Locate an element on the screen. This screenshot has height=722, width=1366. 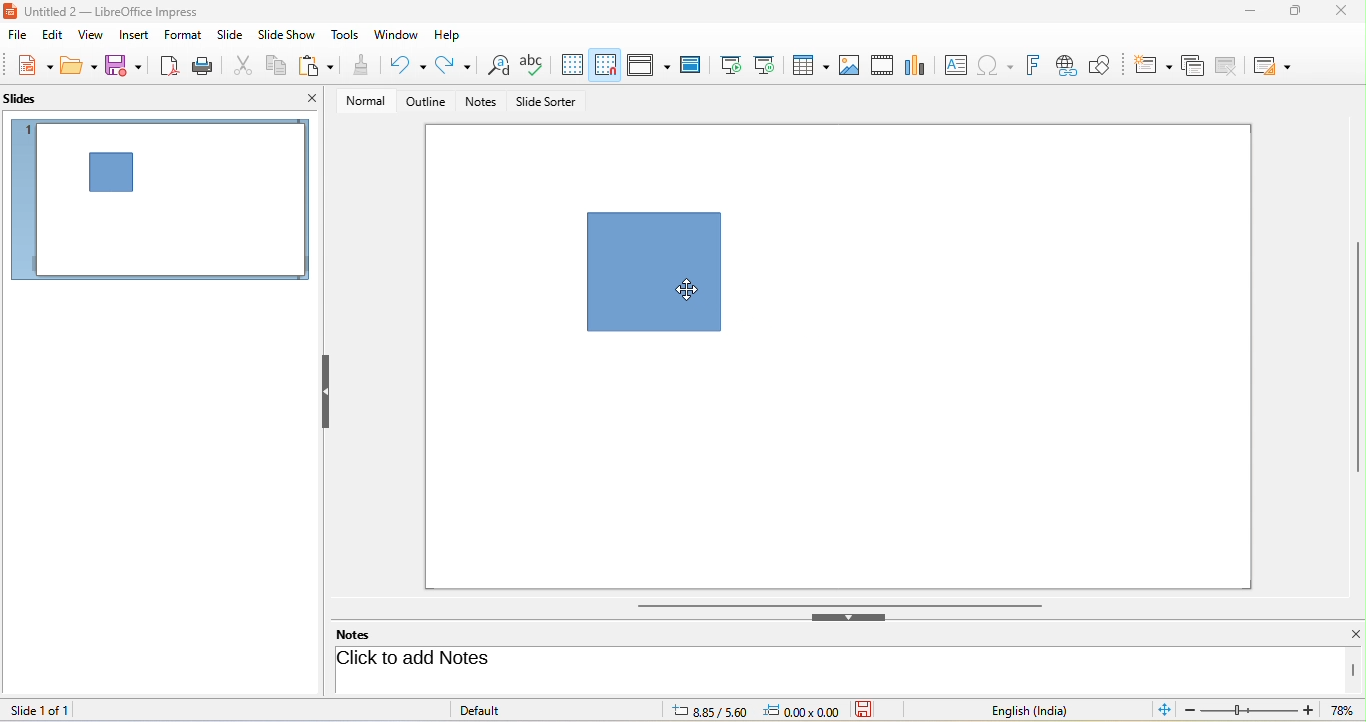
undo is located at coordinates (410, 65).